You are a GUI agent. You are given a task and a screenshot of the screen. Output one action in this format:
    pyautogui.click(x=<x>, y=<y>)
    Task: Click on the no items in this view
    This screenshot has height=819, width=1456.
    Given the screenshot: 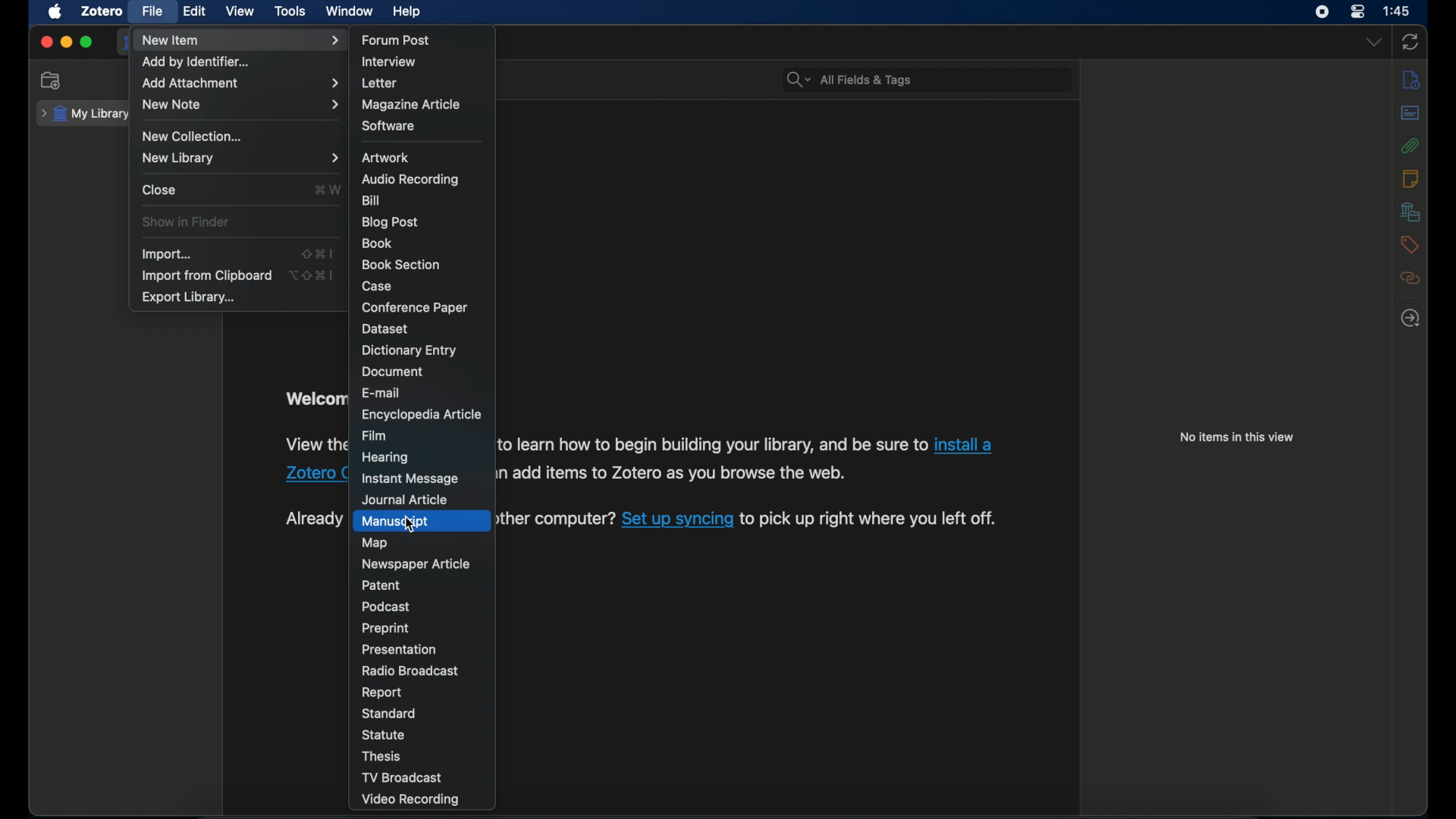 What is the action you would take?
    pyautogui.click(x=1236, y=437)
    